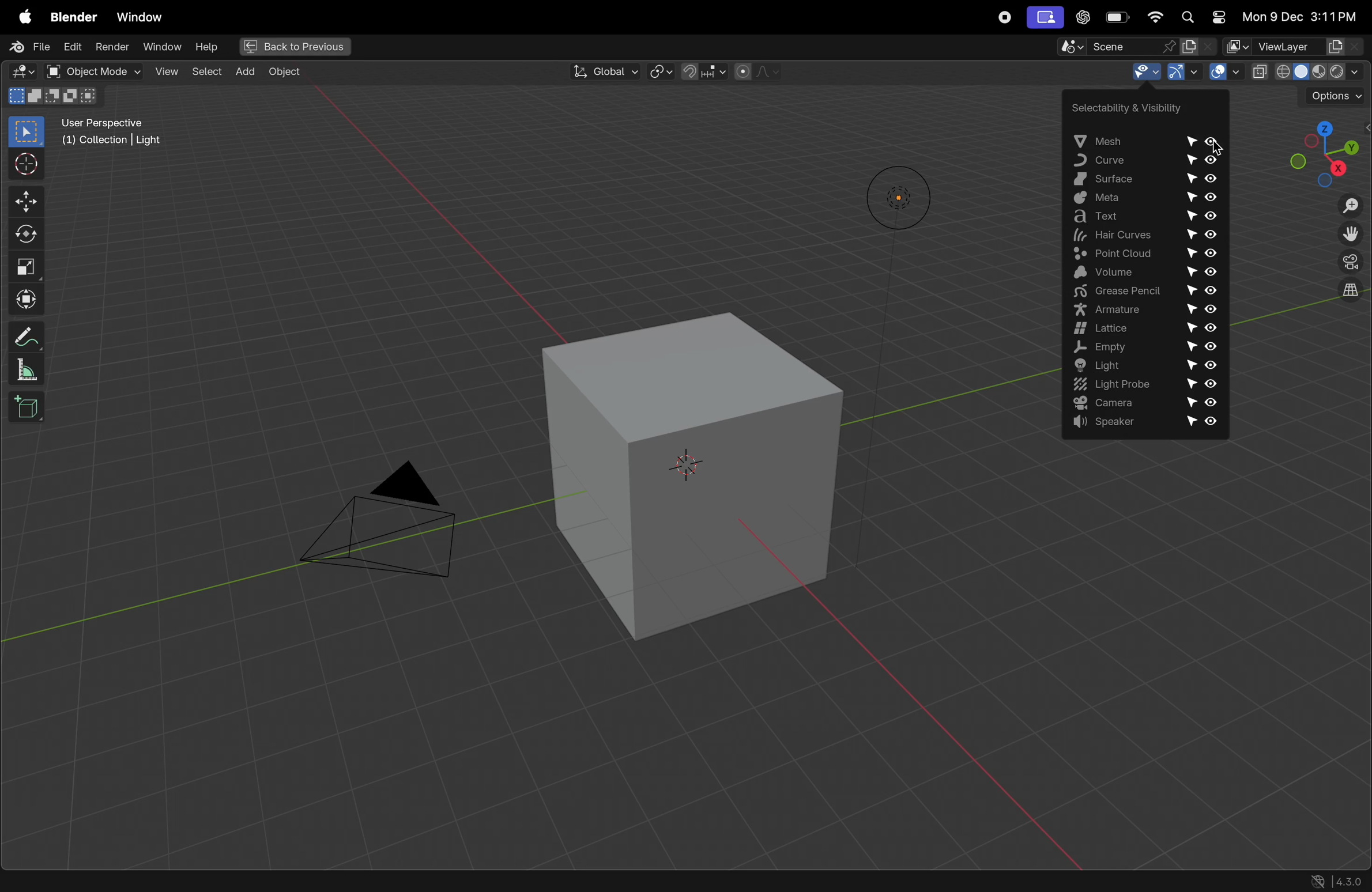  I want to click on battery, so click(1114, 18).